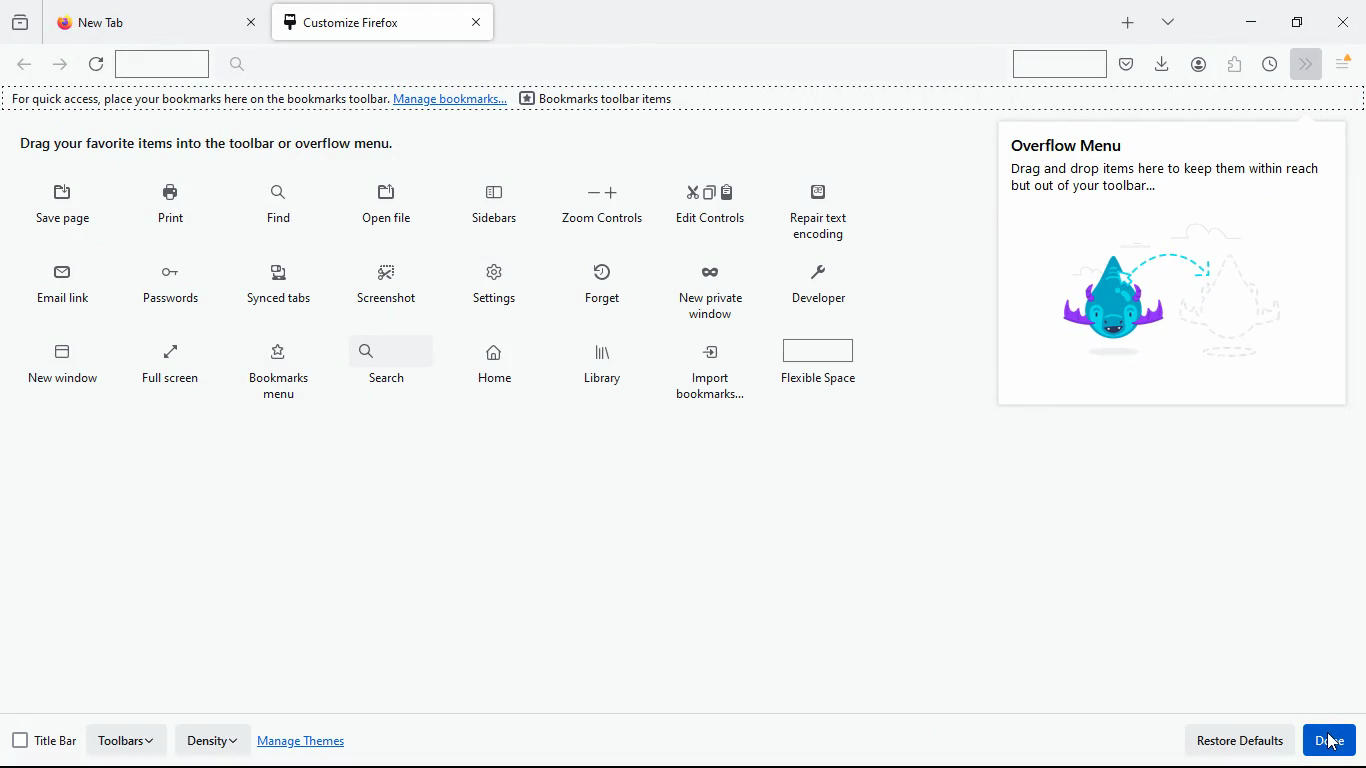 The image size is (1366, 768). What do you see at coordinates (1070, 143) in the screenshot?
I see `overflow menu` at bounding box center [1070, 143].